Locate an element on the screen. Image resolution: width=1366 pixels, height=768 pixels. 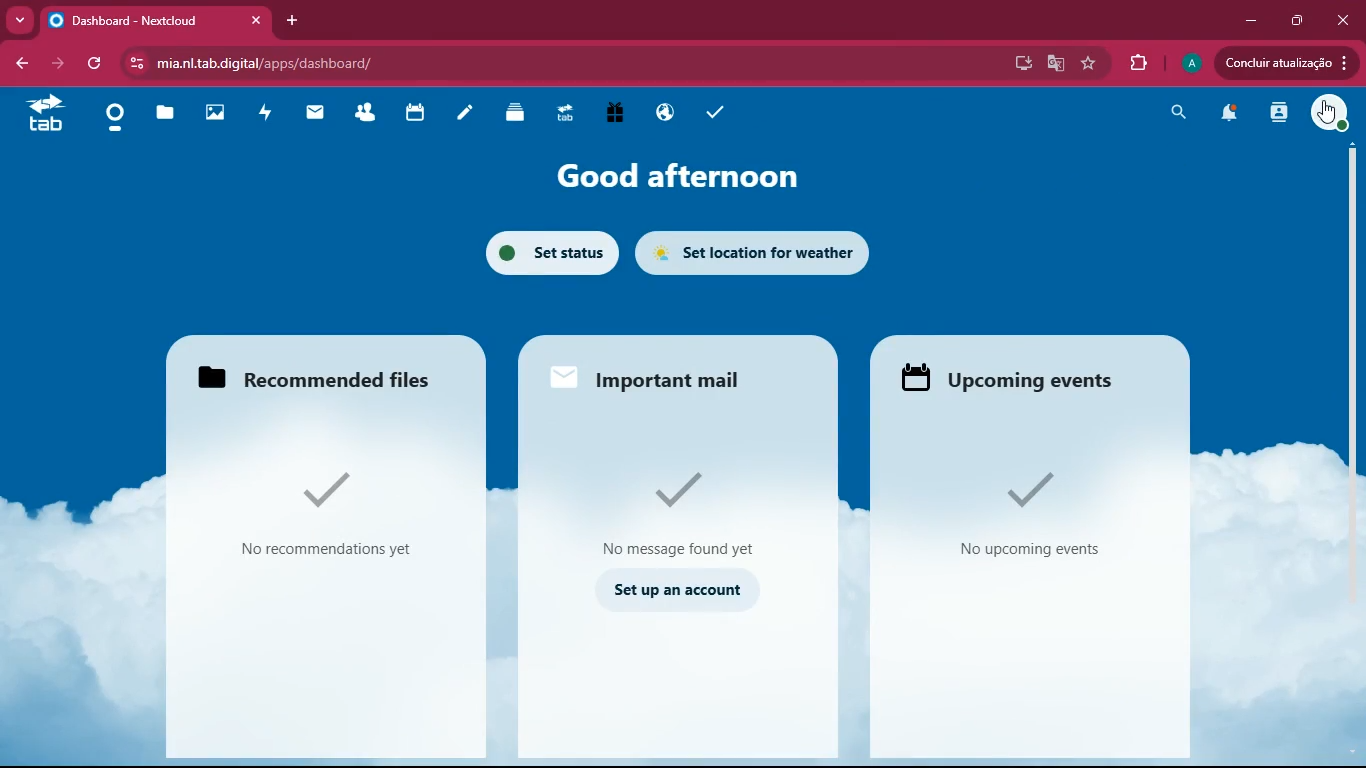
mia.nl.tab.aigital/apps/dashboard/ is located at coordinates (272, 65).